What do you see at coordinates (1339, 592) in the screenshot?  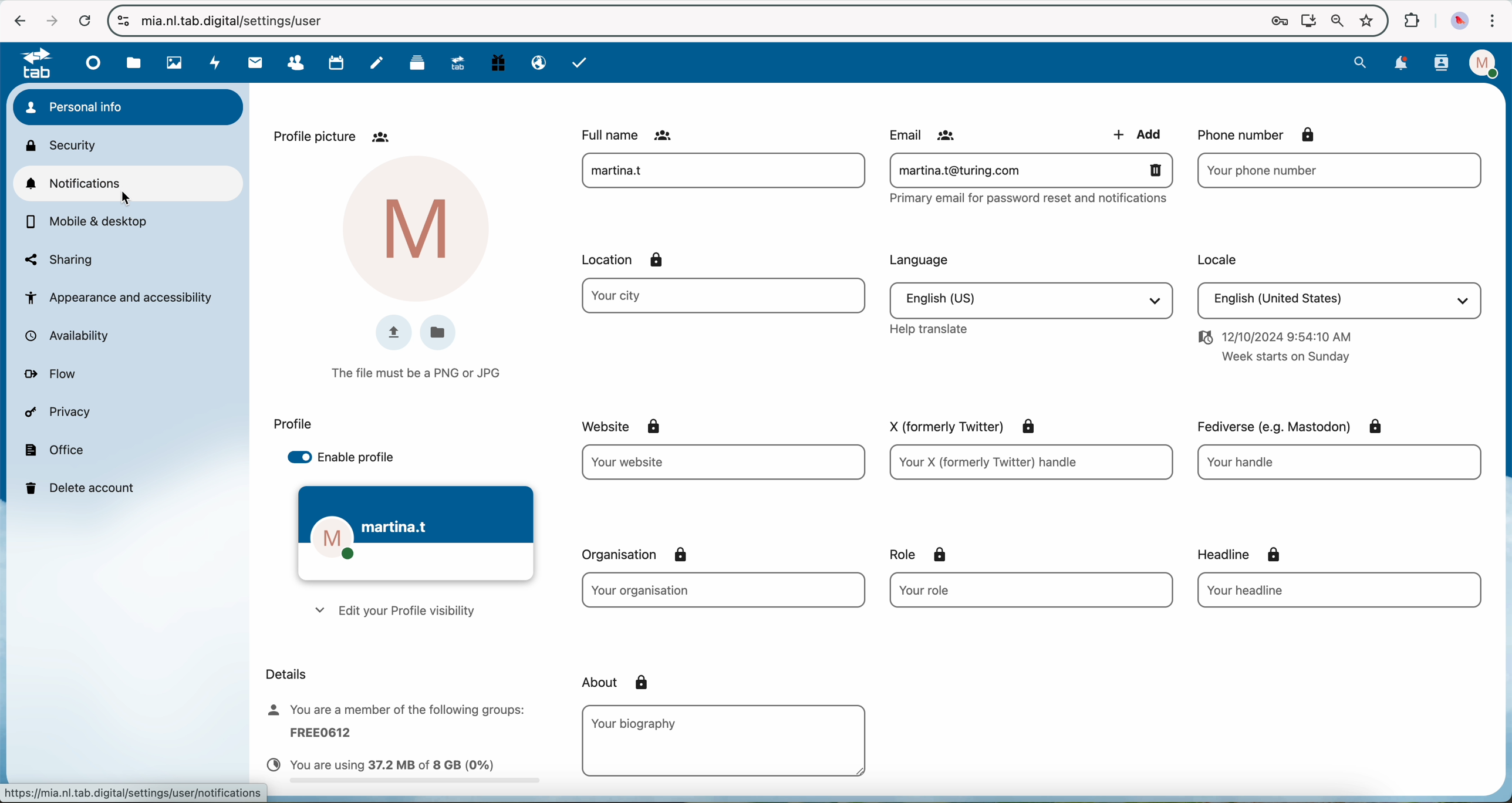 I see `headline` at bounding box center [1339, 592].